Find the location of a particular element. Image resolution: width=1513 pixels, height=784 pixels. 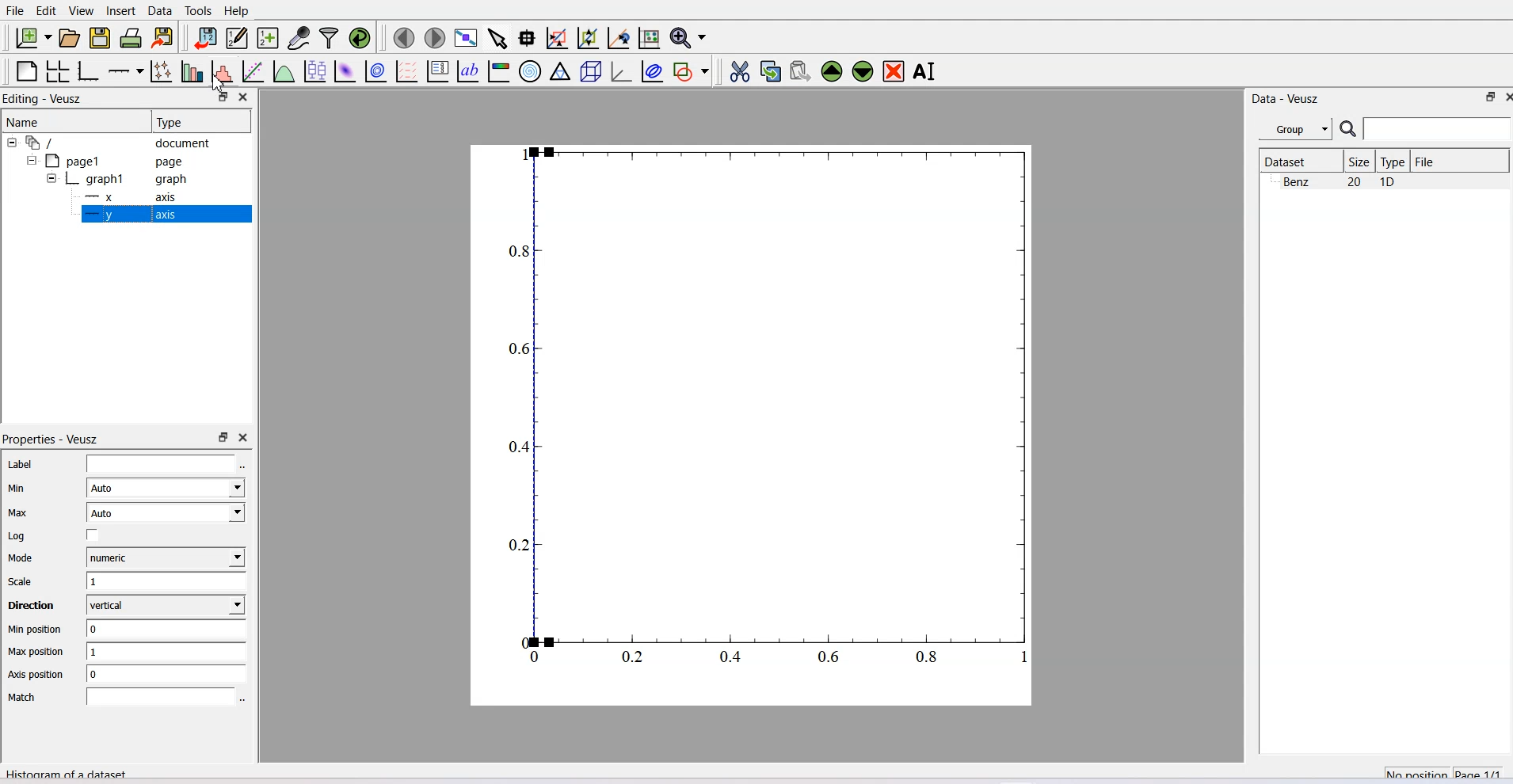

Maximize is located at coordinates (223, 97).